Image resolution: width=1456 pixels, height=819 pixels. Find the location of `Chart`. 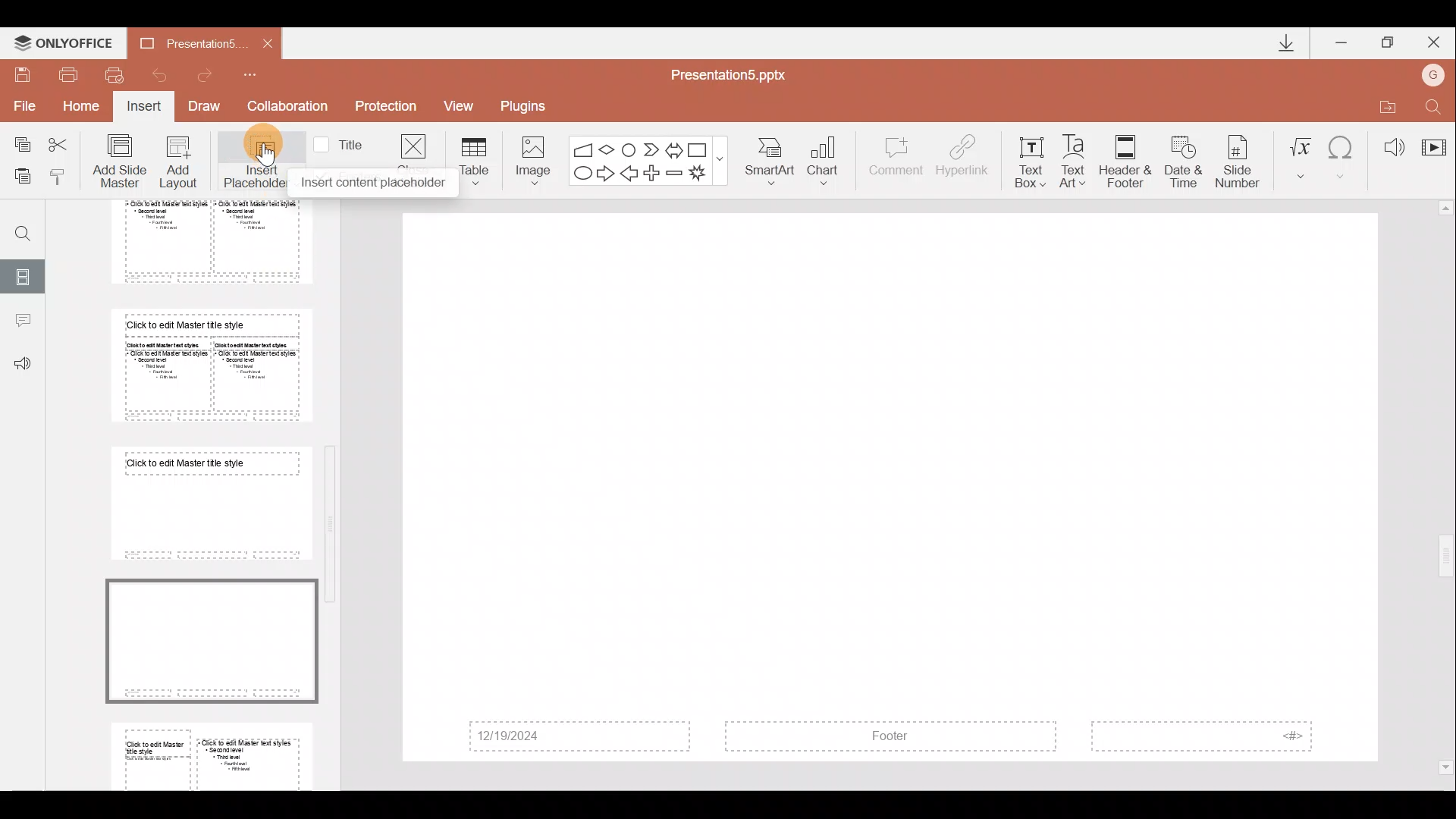

Chart is located at coordinates (833, 162).